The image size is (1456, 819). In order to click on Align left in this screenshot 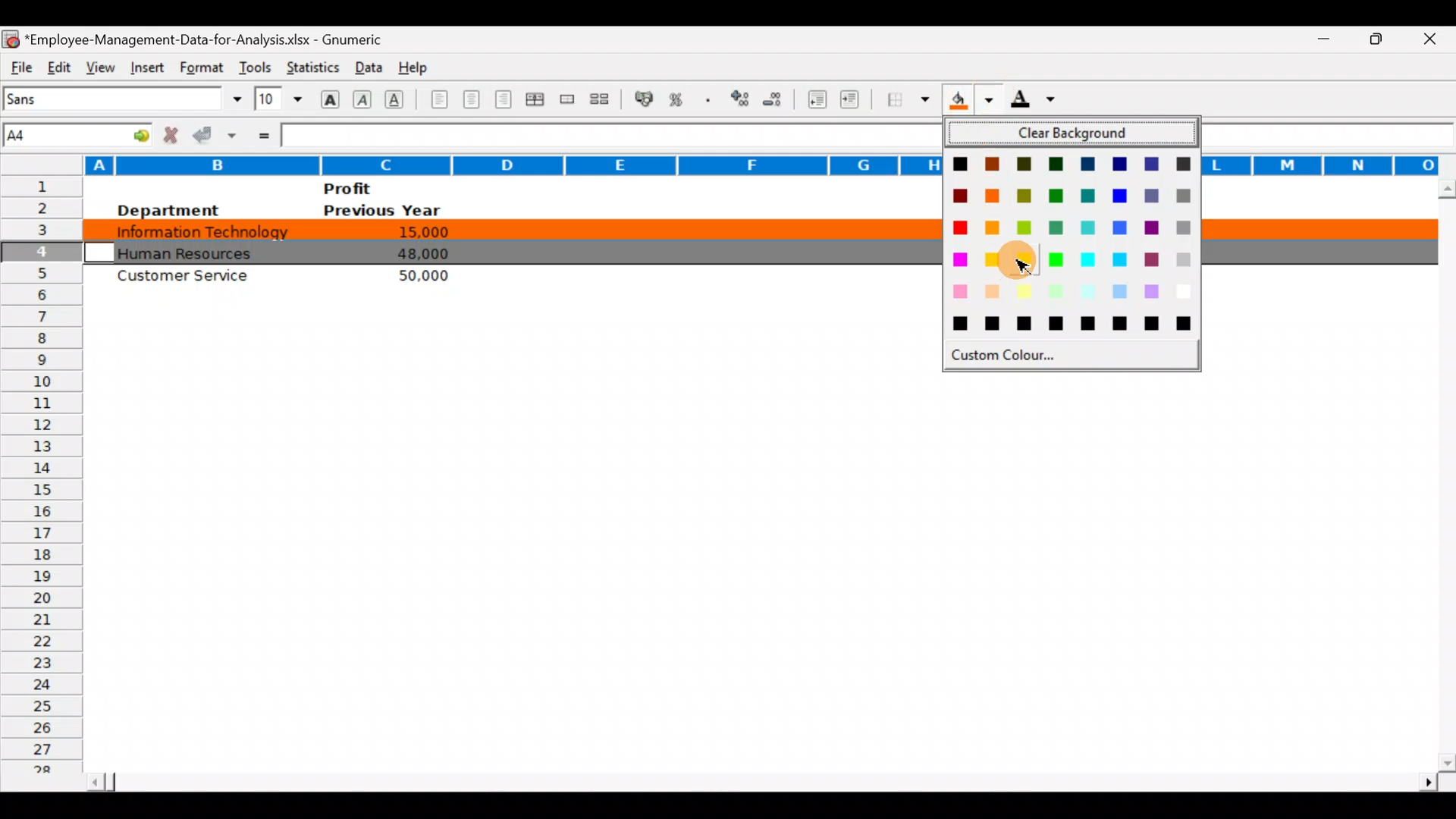, I will do `click(438, 99)`.